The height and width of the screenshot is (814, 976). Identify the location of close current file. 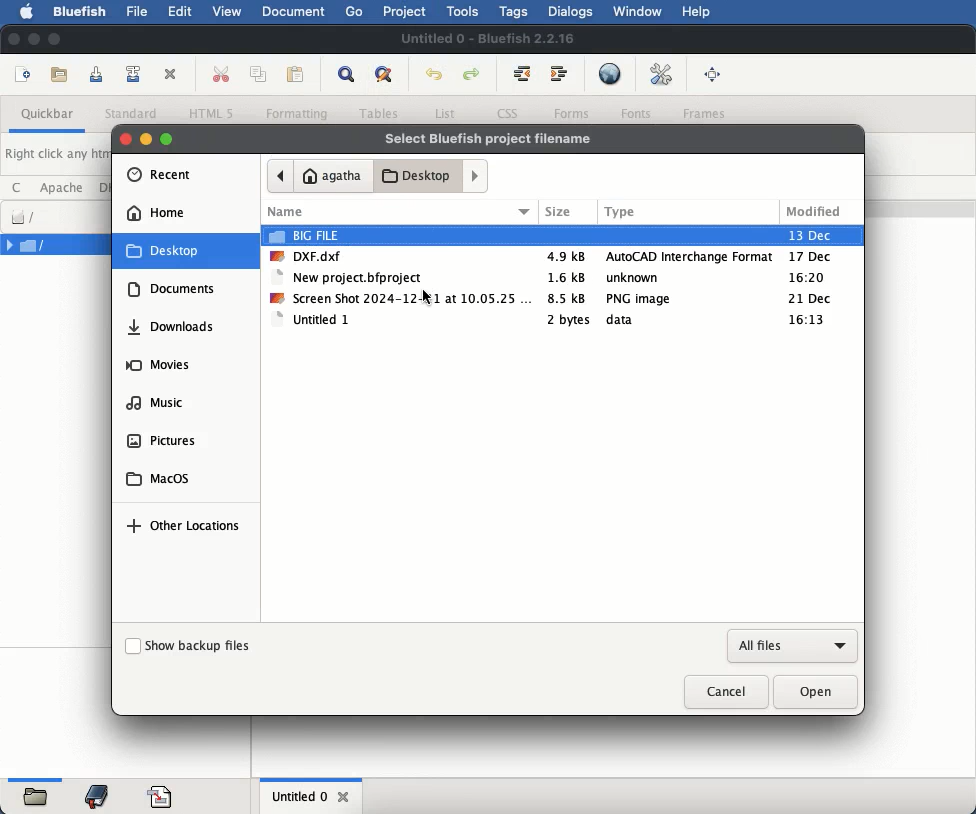
(172, 75).